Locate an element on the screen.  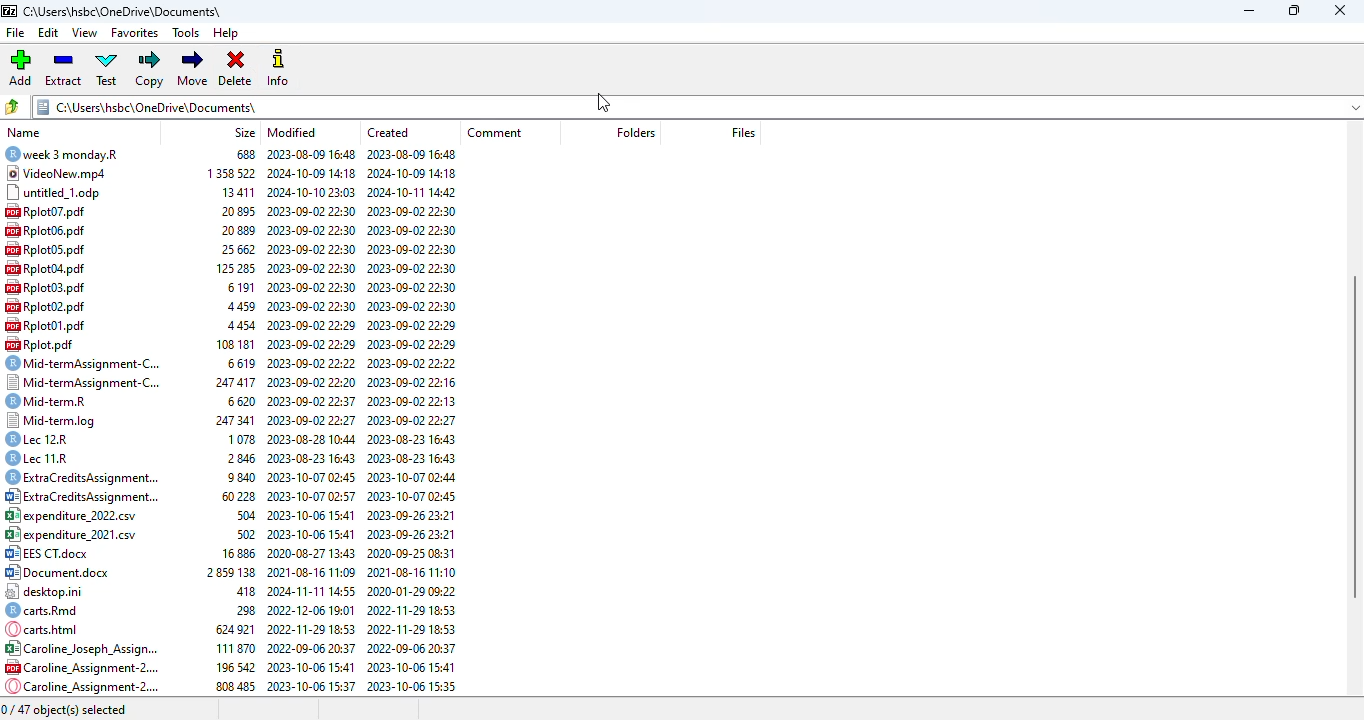
 Mid-term.R is located at coordinates (54, 401).